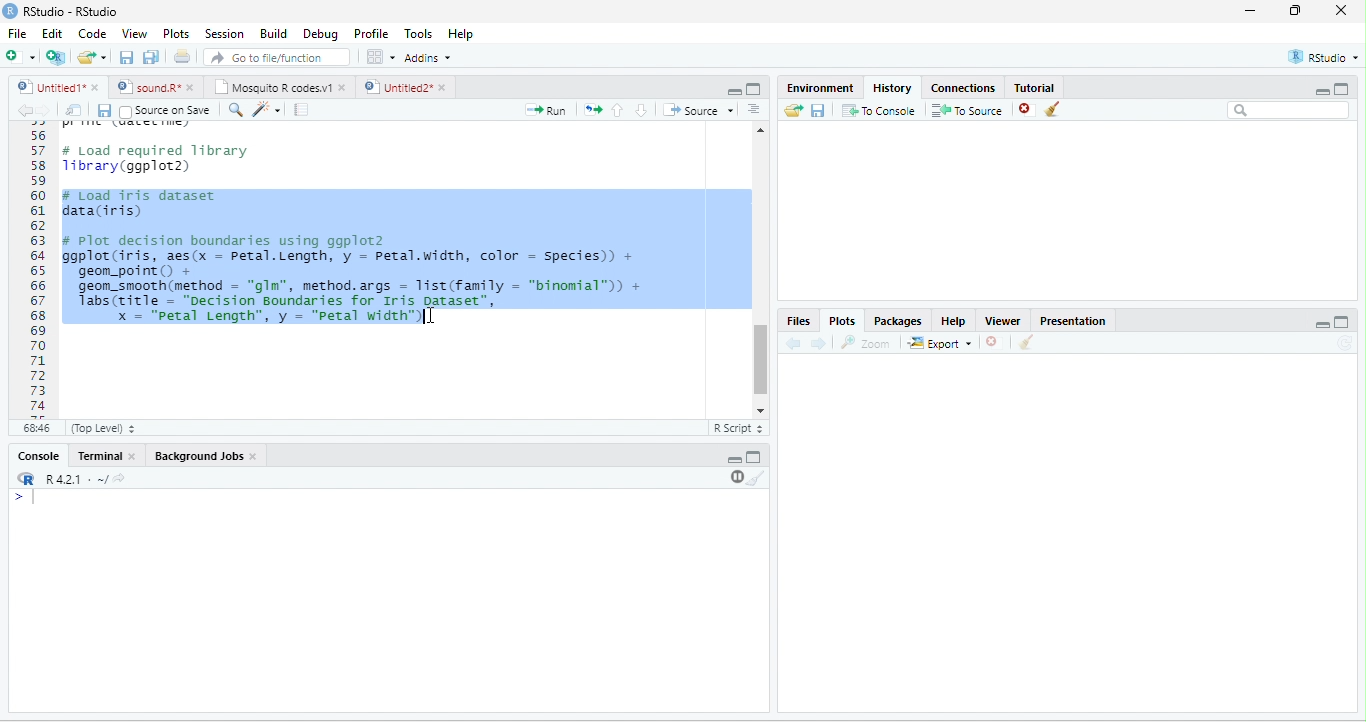  I want to click on R Script, so click(737, 428).